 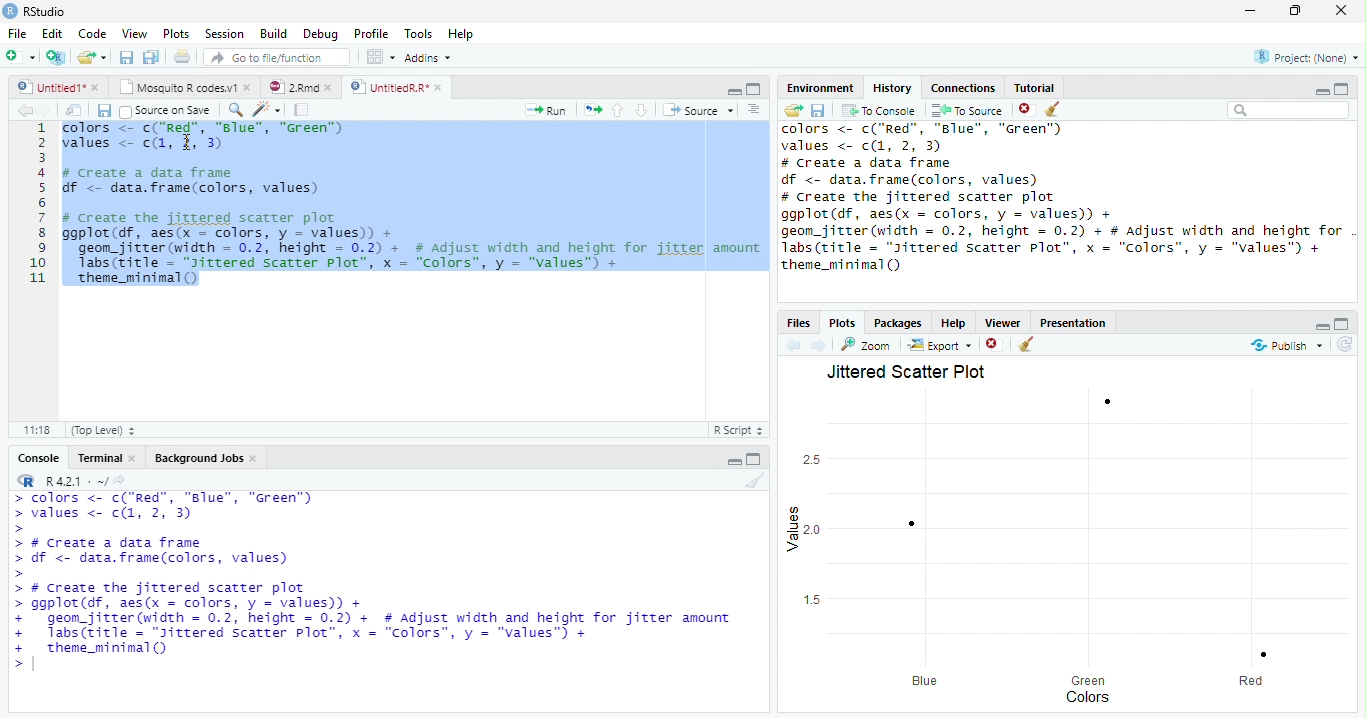 I want to click on Compile Report, so click(x=302, y=111).